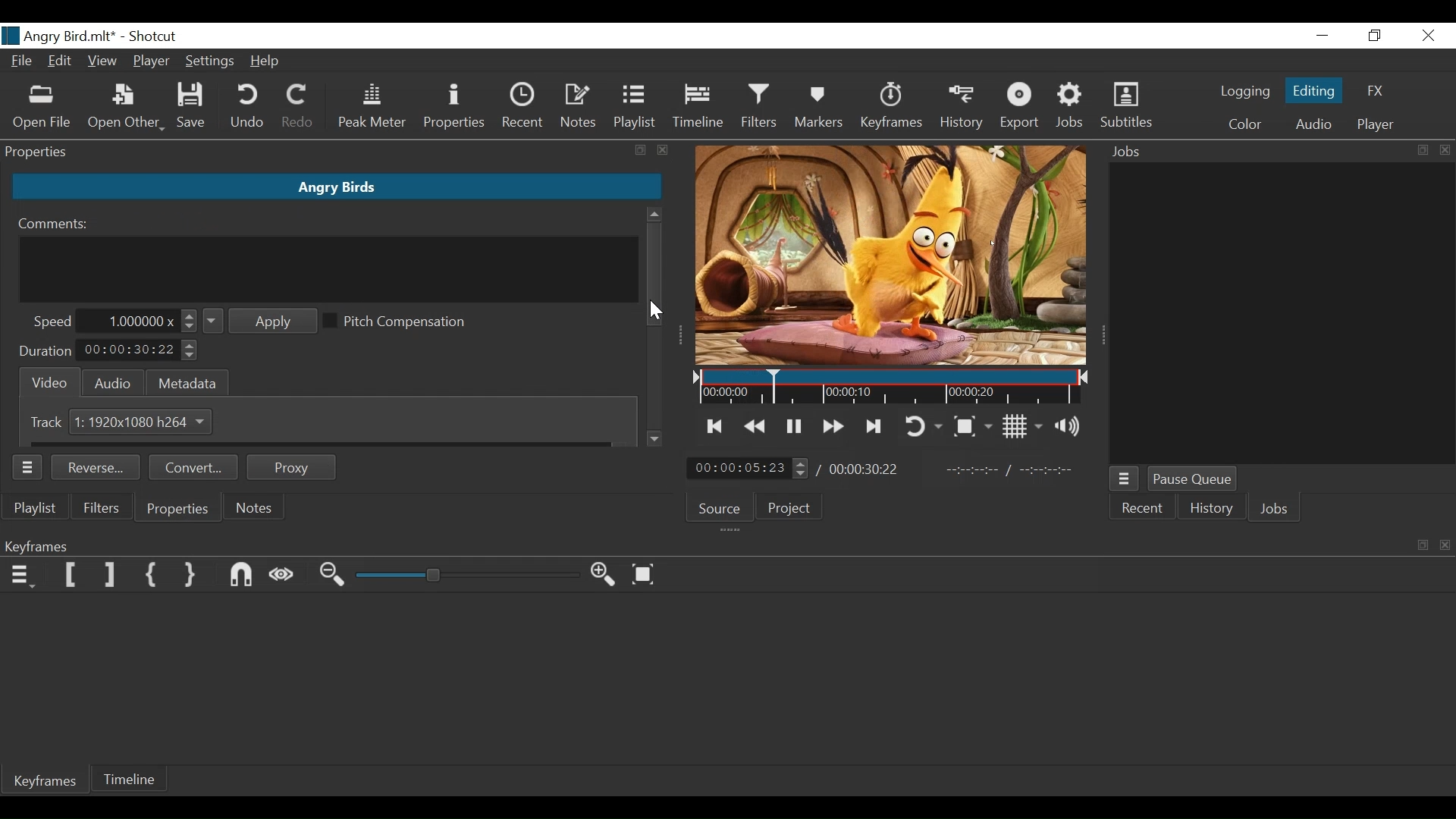 The image size is (1456, 819). Describe the element at coordinates (110, 576) in the screenshot. I see `Set Filter last` at that location.